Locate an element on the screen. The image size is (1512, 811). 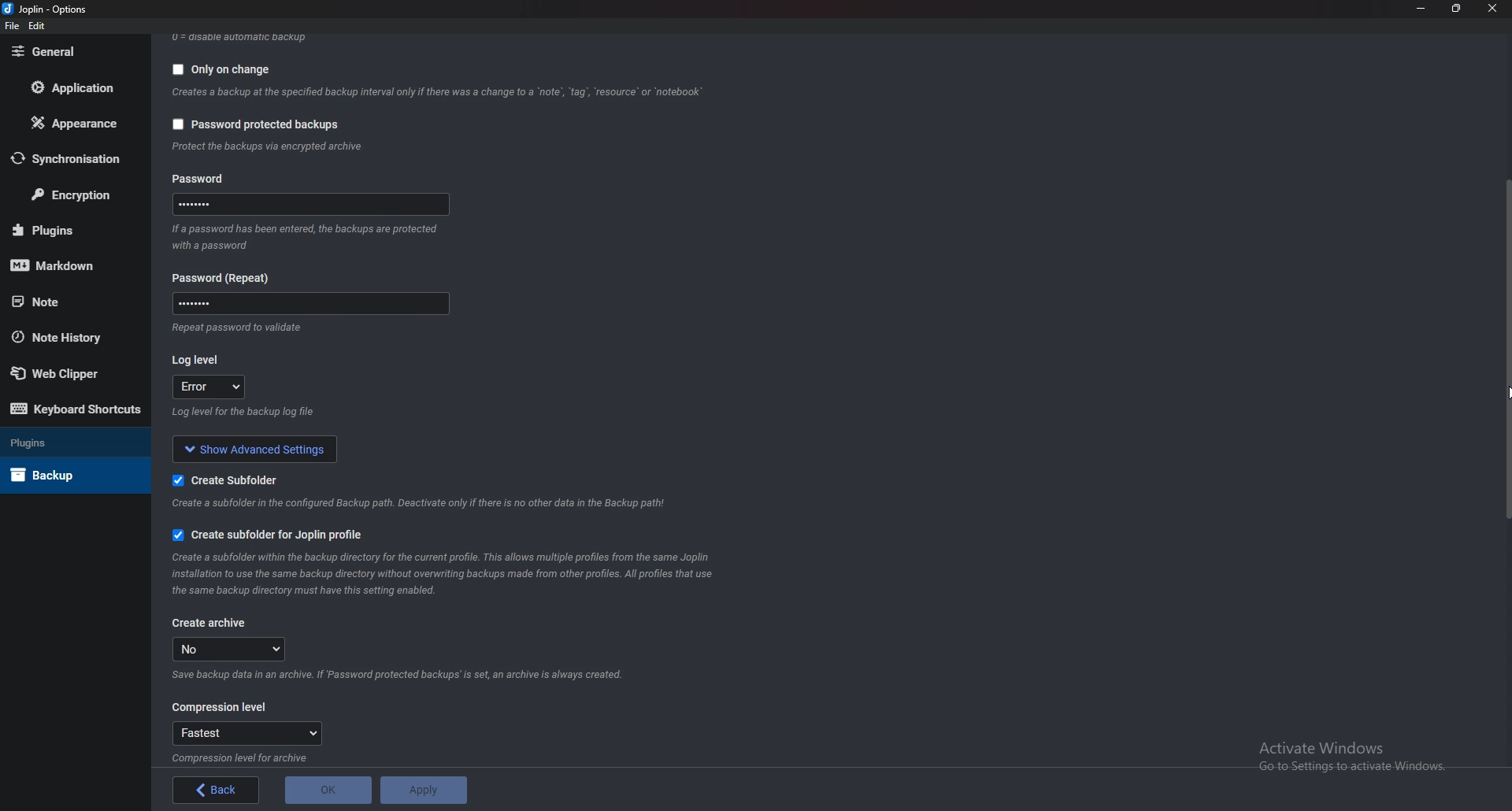
Info on subfolder is located at coordinates (418, 504).